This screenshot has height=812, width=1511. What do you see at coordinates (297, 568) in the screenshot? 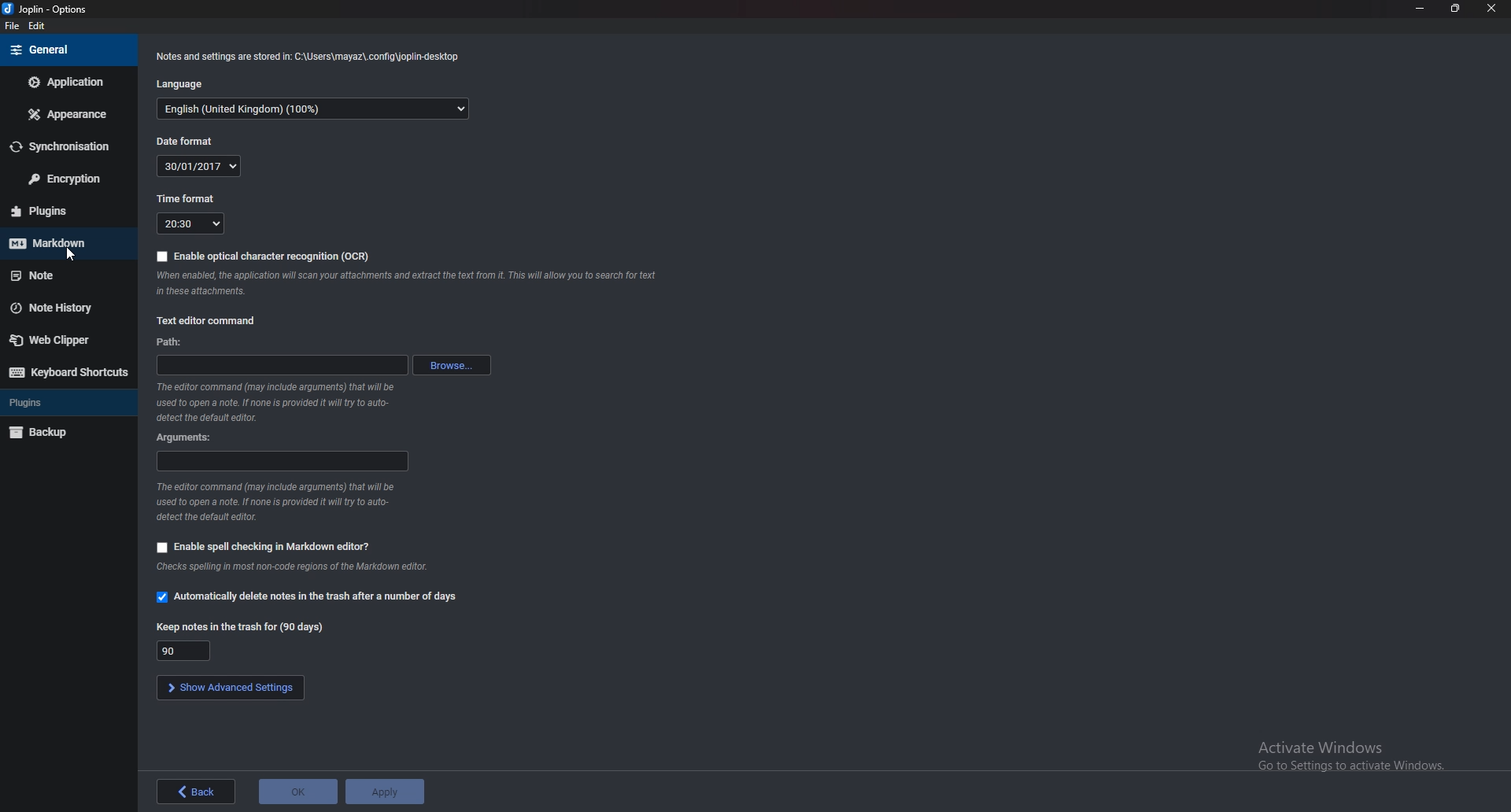
I see `Info` at bounding box center [297, 568].